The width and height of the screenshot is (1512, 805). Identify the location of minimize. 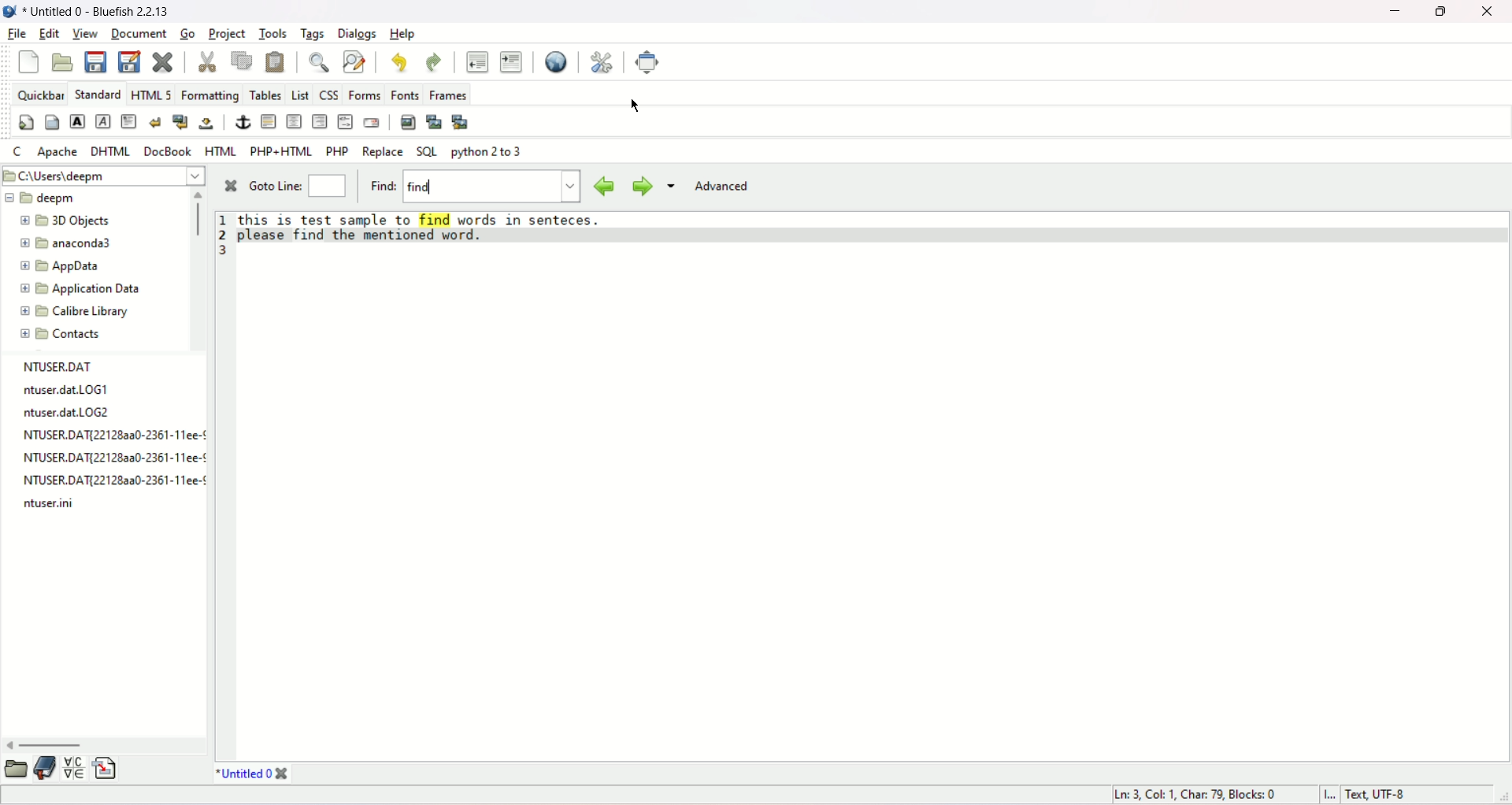
(1393, 13).